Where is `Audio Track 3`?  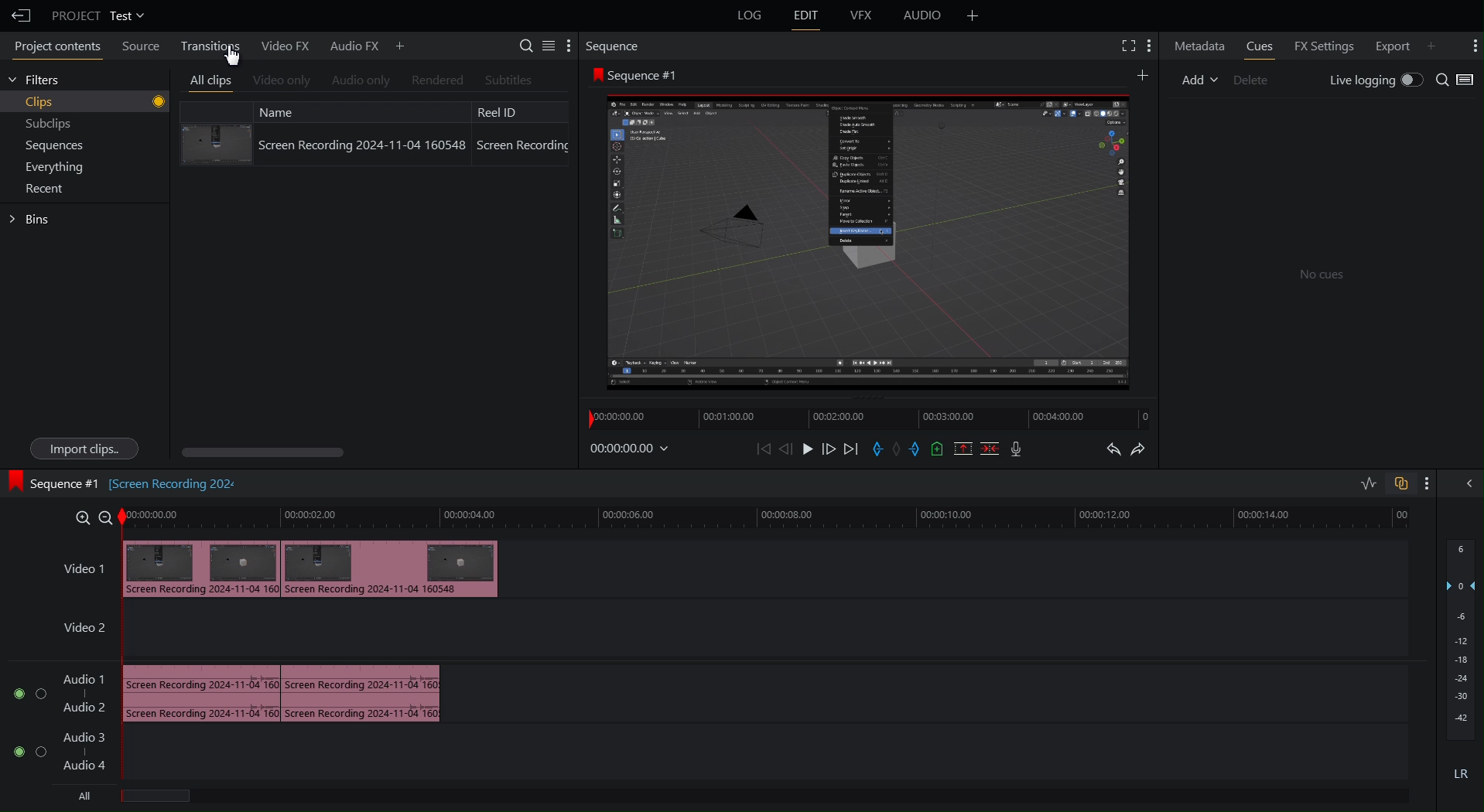 Audio Track 3 is located at coordinates (89, 733).